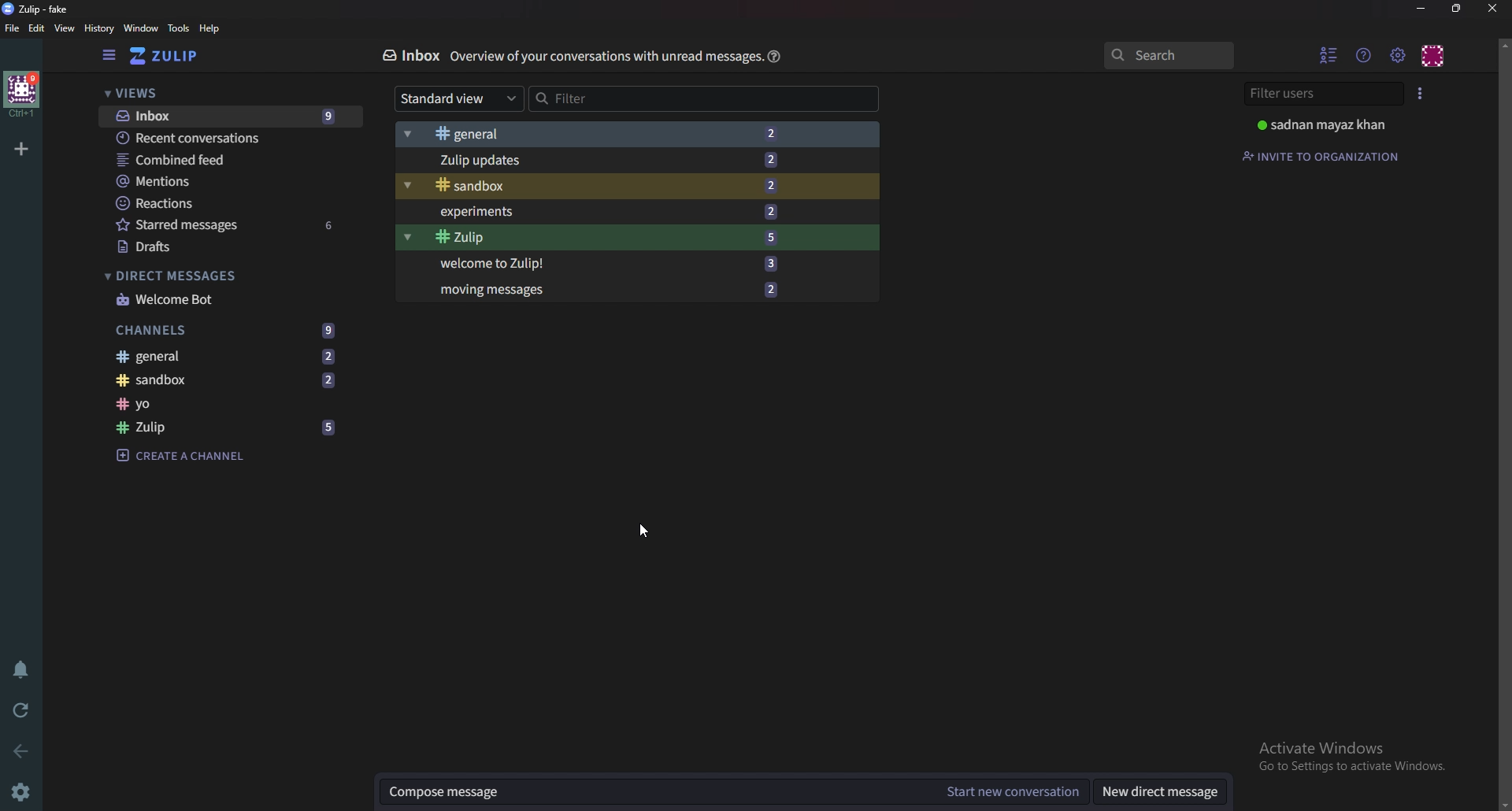 This screenshot has width=1512, height=811. What do you see at coordinates (211, 161) in the screenshot?
I see `Combine feed` at bounding box center [211, 161].